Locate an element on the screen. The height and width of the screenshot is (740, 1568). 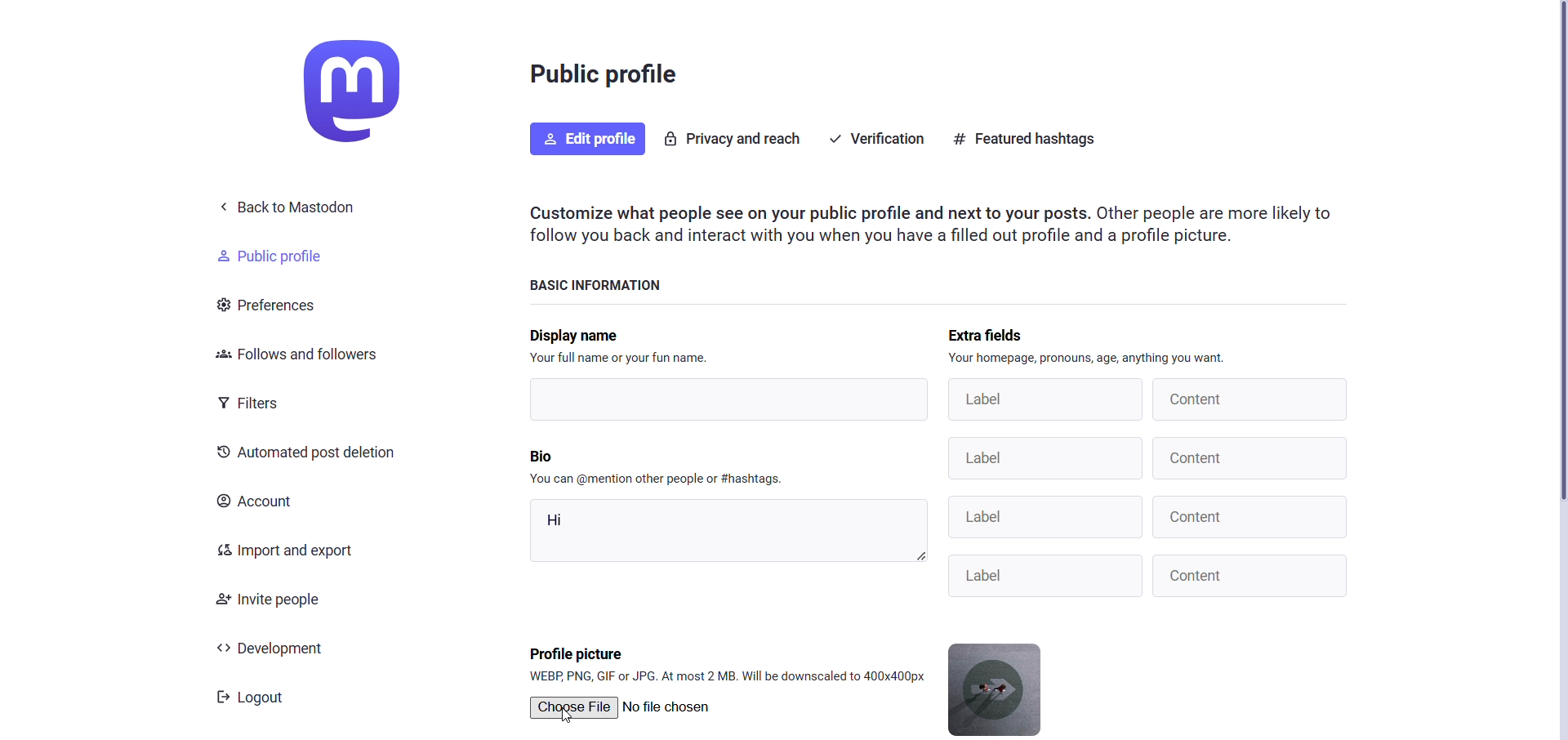
format supported is located at coordinates (727, 677).